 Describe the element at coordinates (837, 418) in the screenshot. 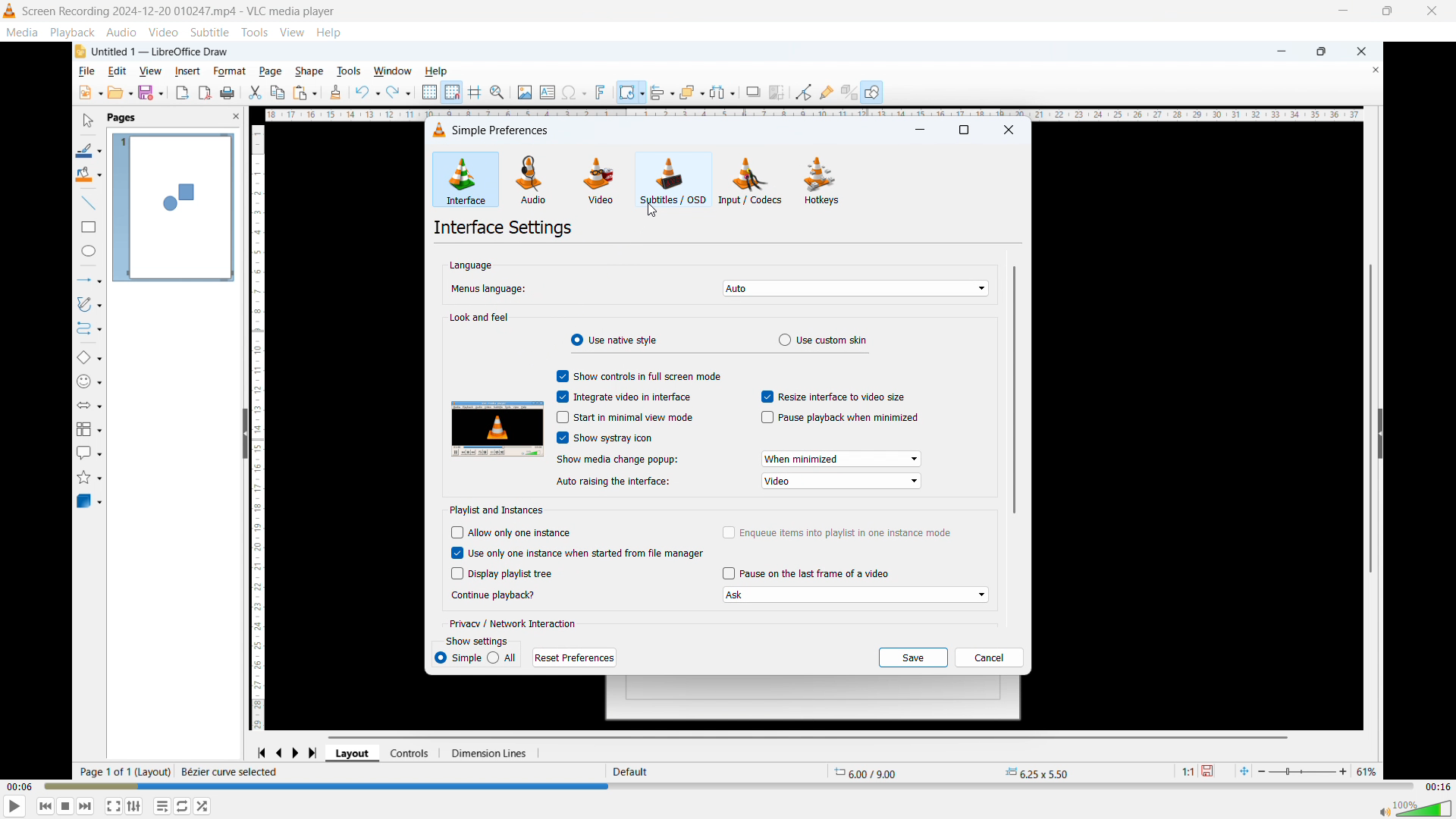

I see `Pause playback when minimised ` at that location.